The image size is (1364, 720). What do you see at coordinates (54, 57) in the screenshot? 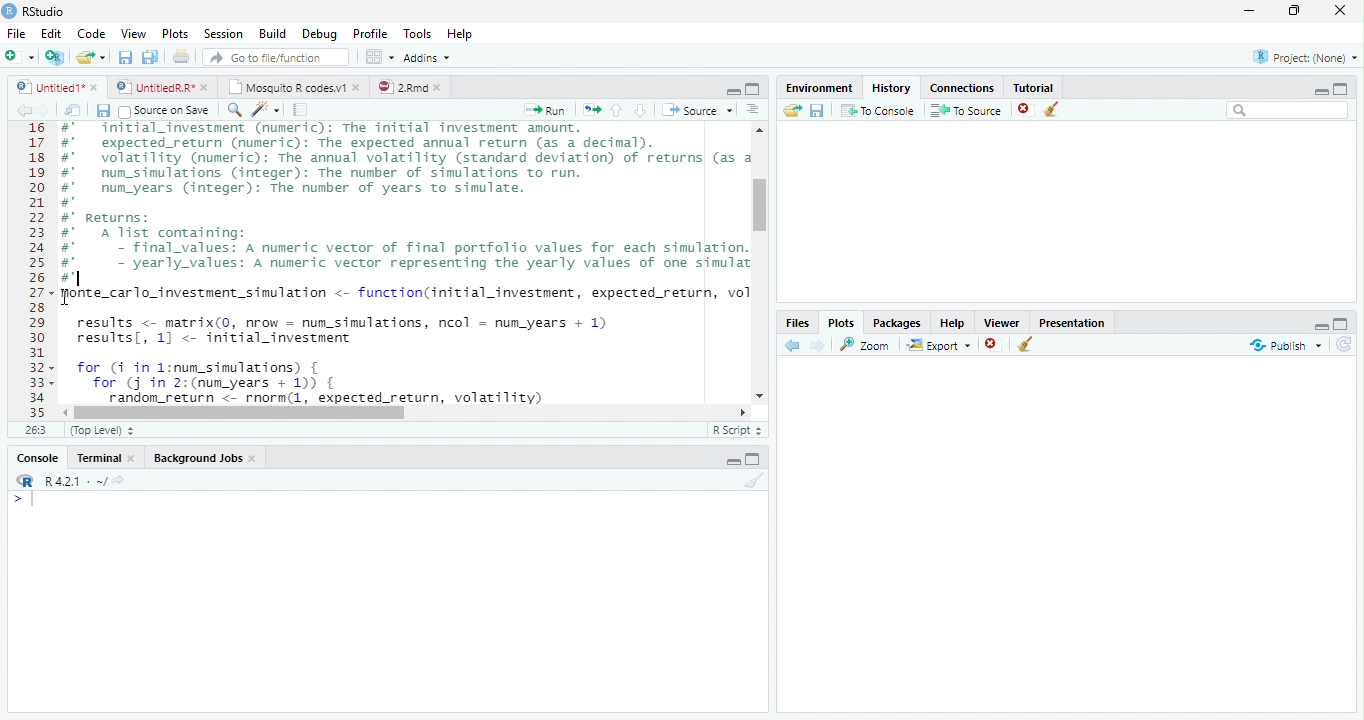
I see `Create project` at bounding box center [54, 57].